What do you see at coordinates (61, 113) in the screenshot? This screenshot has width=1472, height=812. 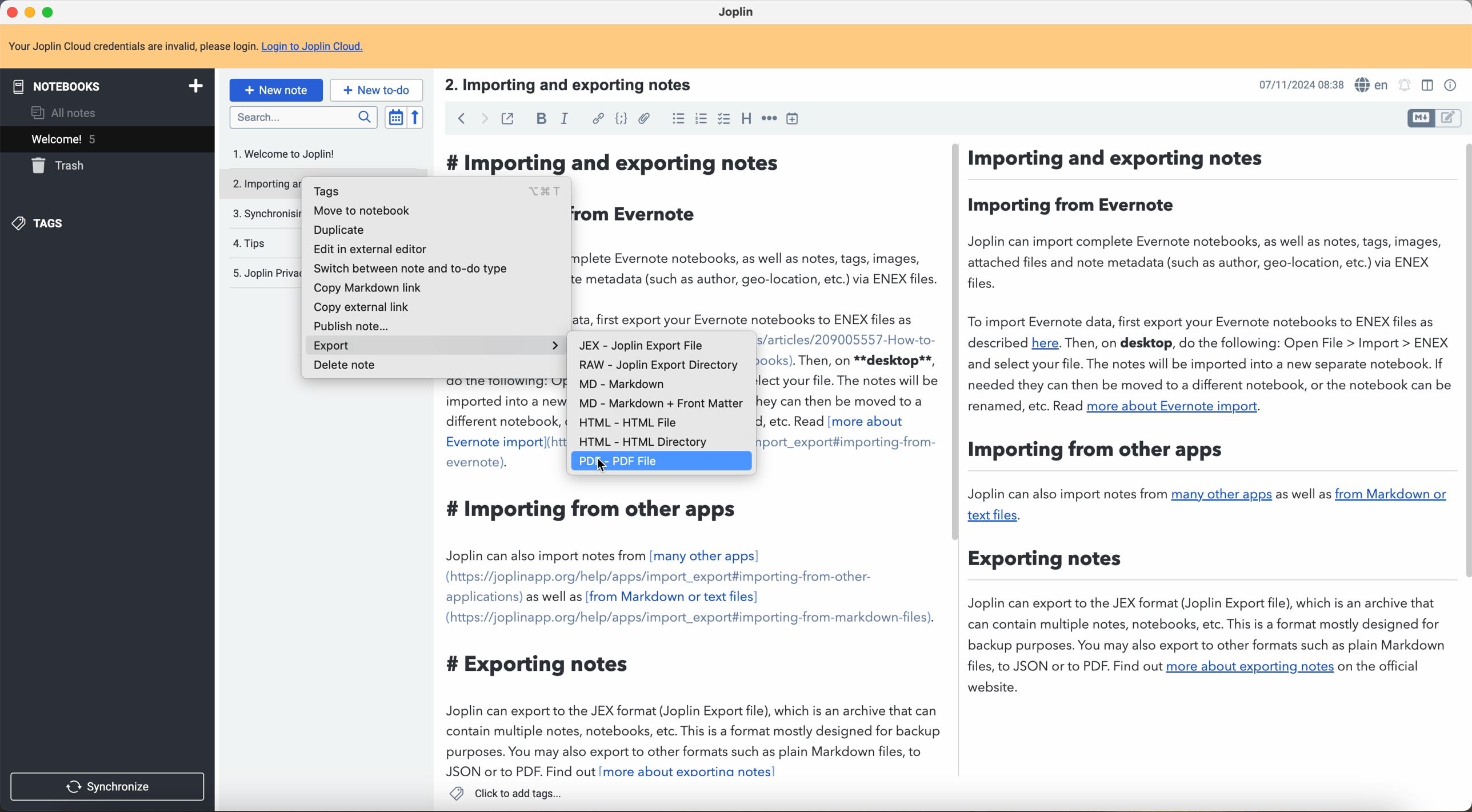 I see `all notes` at bounding box center [61, 113].